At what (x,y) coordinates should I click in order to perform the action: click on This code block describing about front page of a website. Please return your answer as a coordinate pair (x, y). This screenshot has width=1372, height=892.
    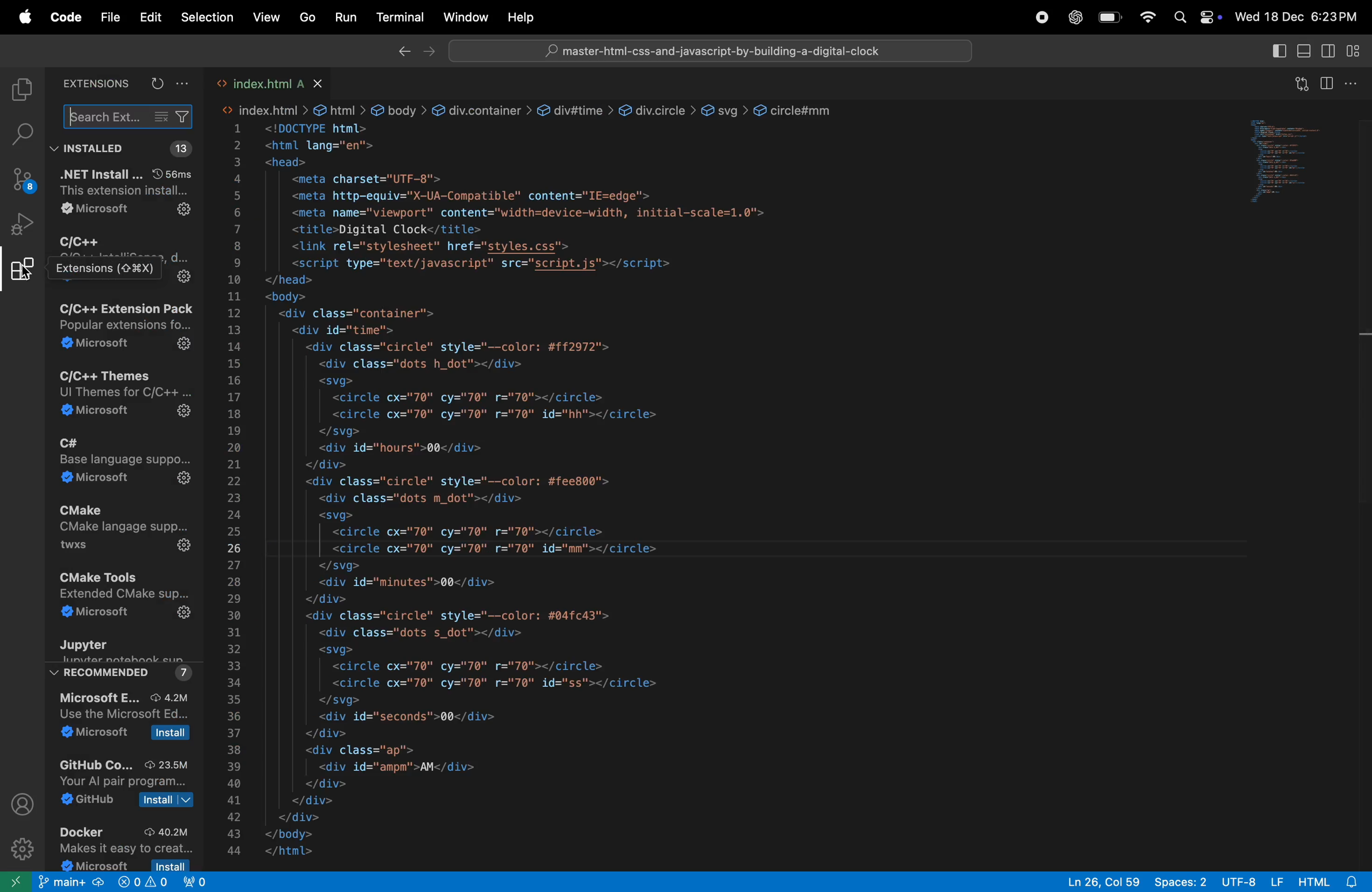
    Looking at the image, I should click on (650, 468).